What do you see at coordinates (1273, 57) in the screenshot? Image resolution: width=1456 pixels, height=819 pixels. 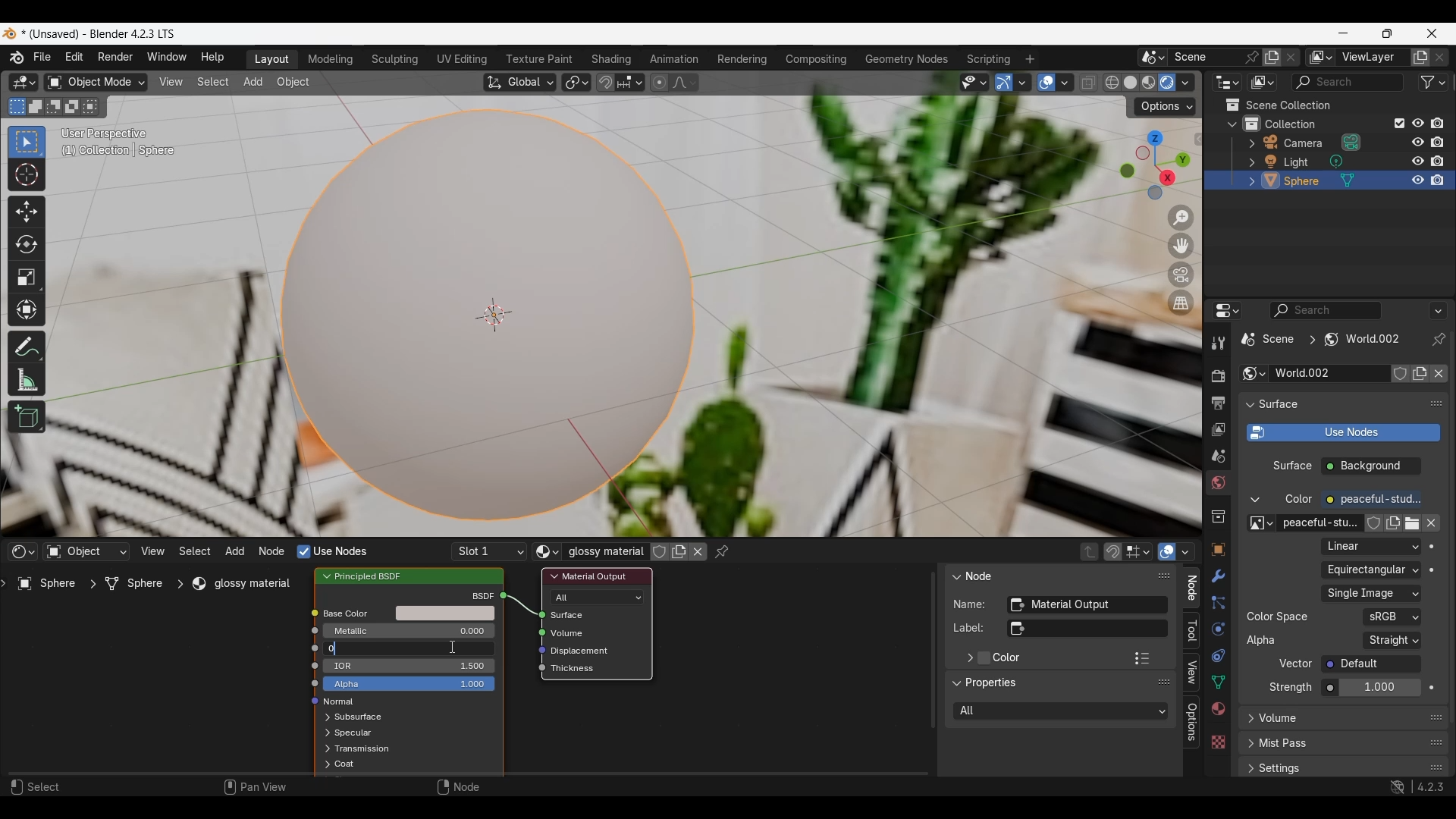 I see `Add new scene` at bounding box center [1273, 57].